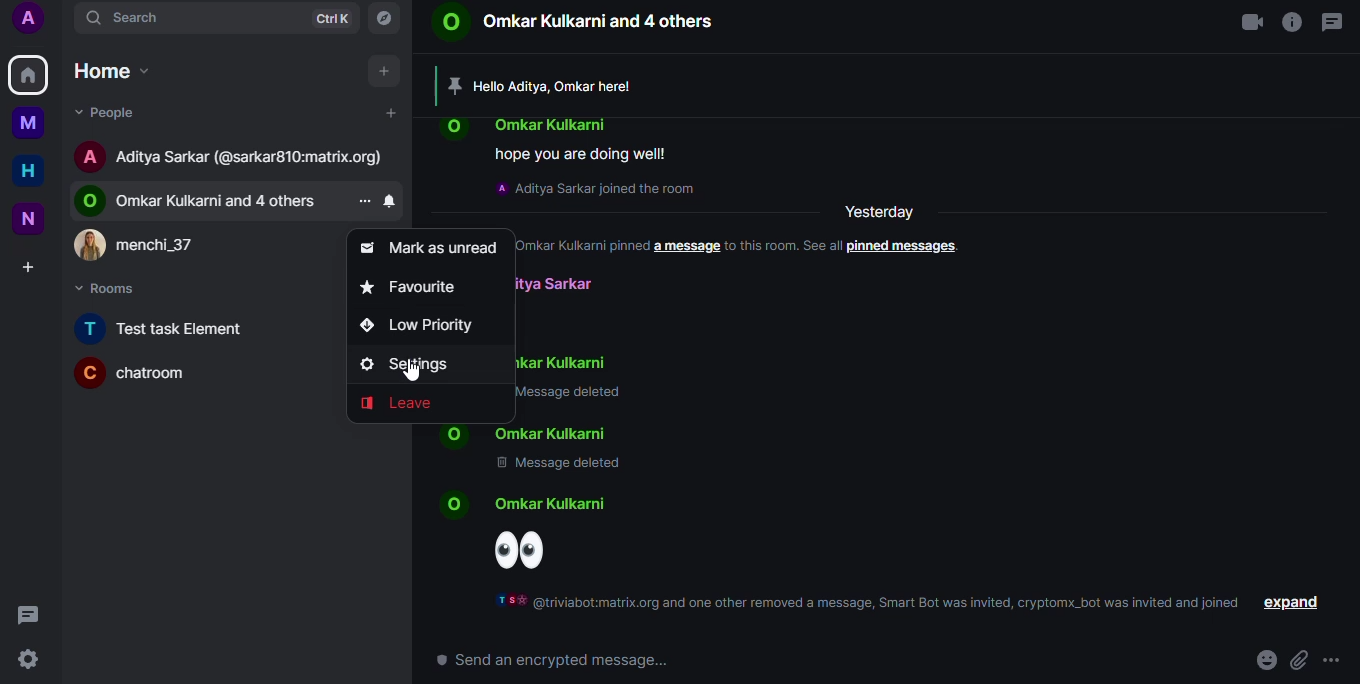 This screenshot has width=1360, height=684. Describe the element at coordinates (577, 395) in the screenshot. I see `Message deleted` at that location.